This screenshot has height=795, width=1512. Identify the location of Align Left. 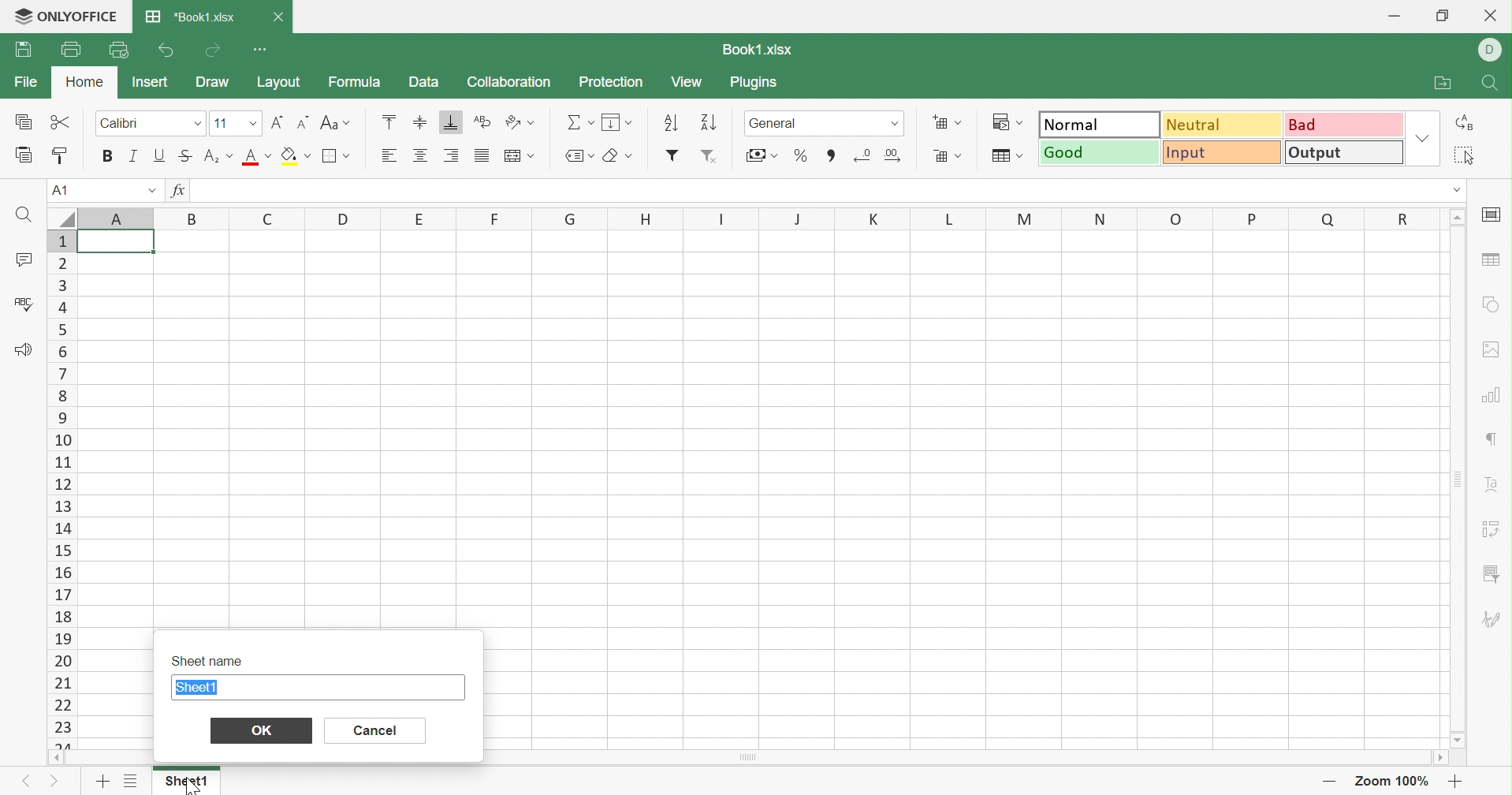
(389, 154).